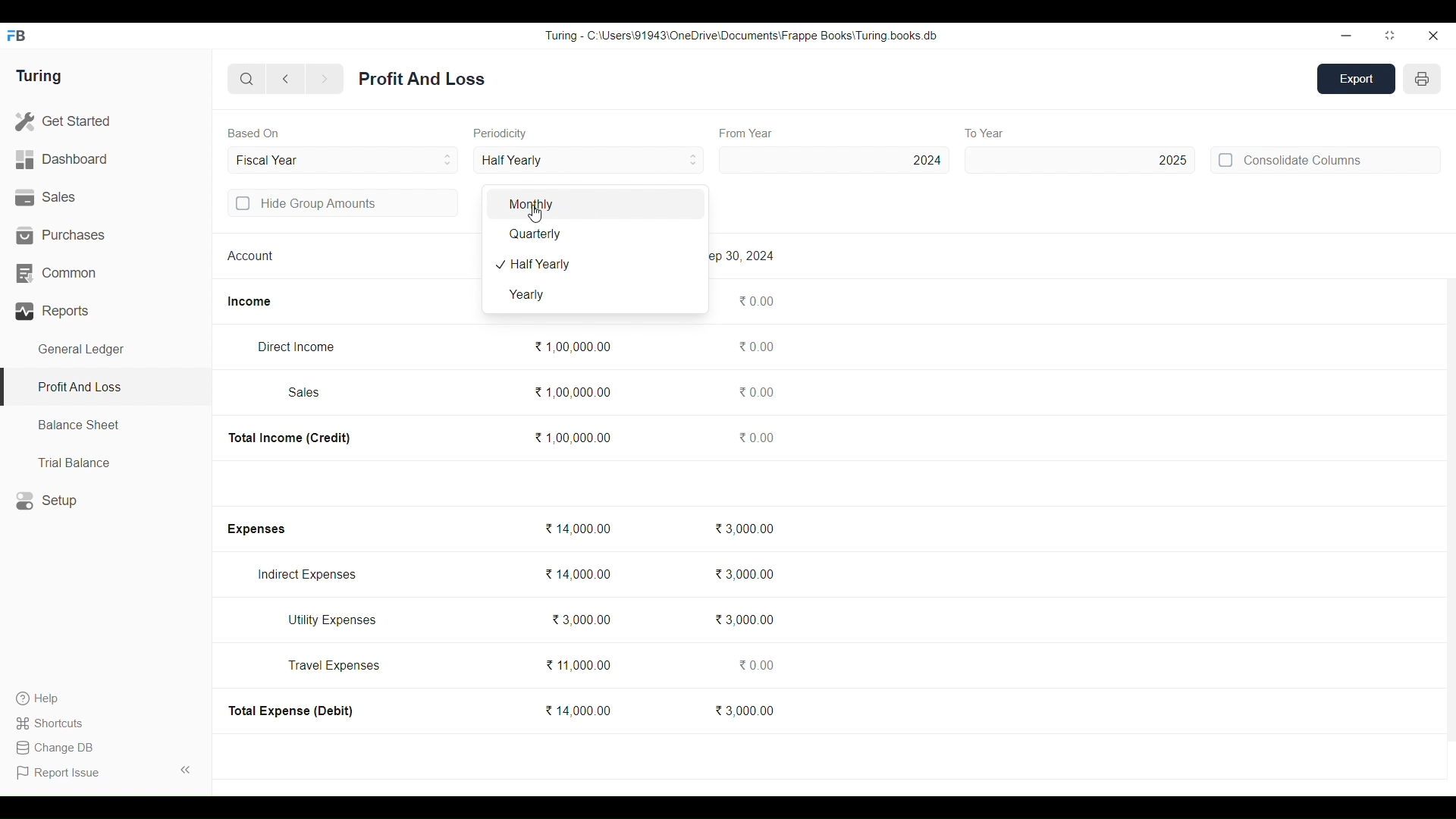 Image resolution: width=1456 pixels, height=819 pixels. What do you see at coordinates (745, 710) in the screenshot?
I see `3,000.00` at bounding box center [745, 710].